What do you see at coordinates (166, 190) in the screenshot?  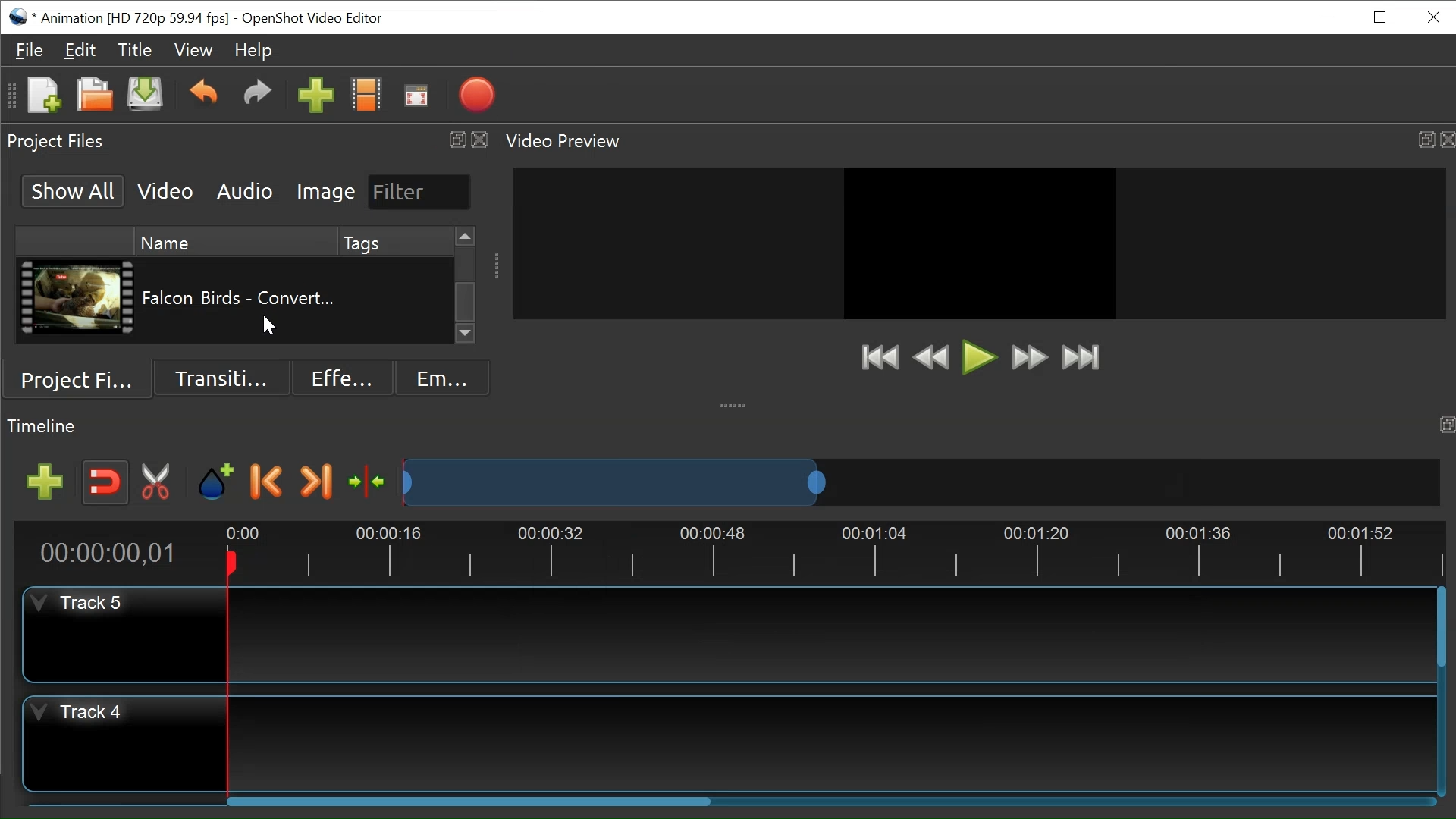 I see `Video` at bounding box center [166, 190].